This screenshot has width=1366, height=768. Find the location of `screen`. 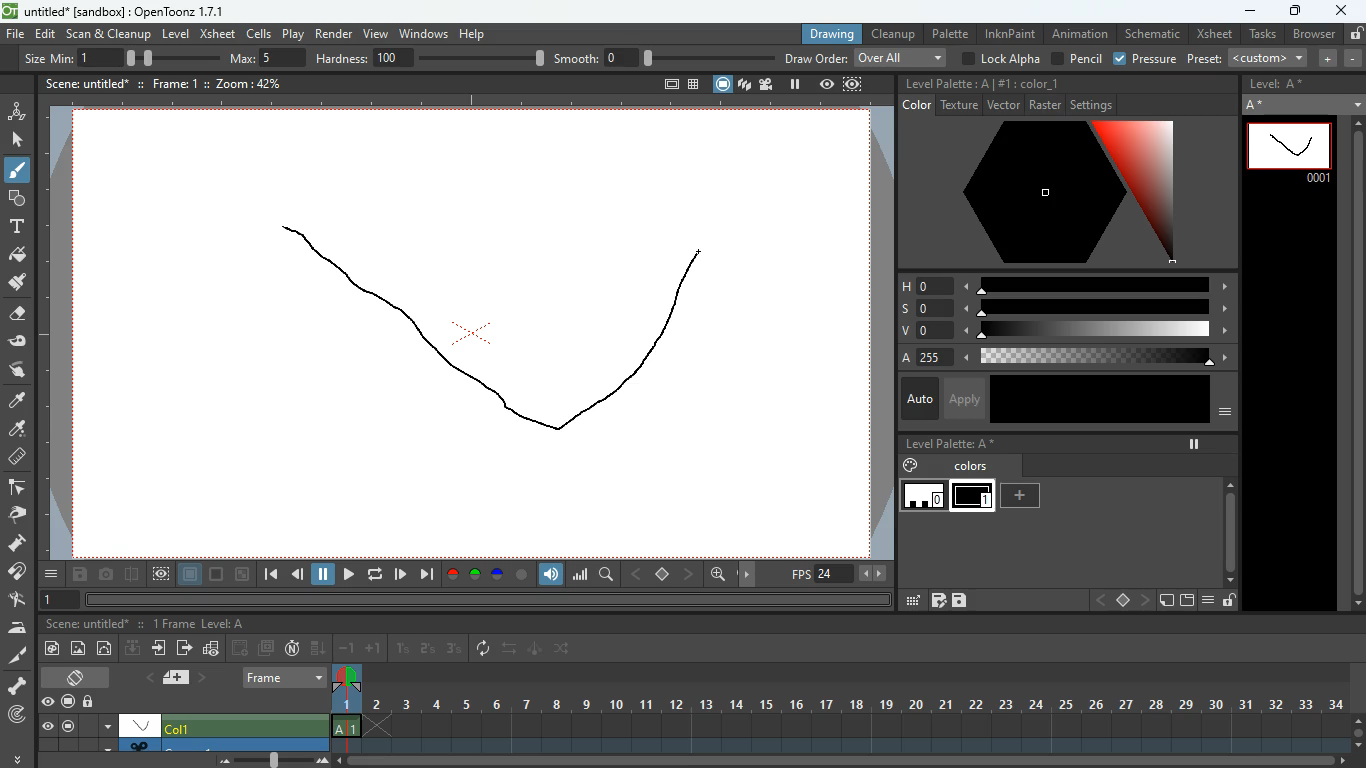

screen is located at coordinates (266, 648).